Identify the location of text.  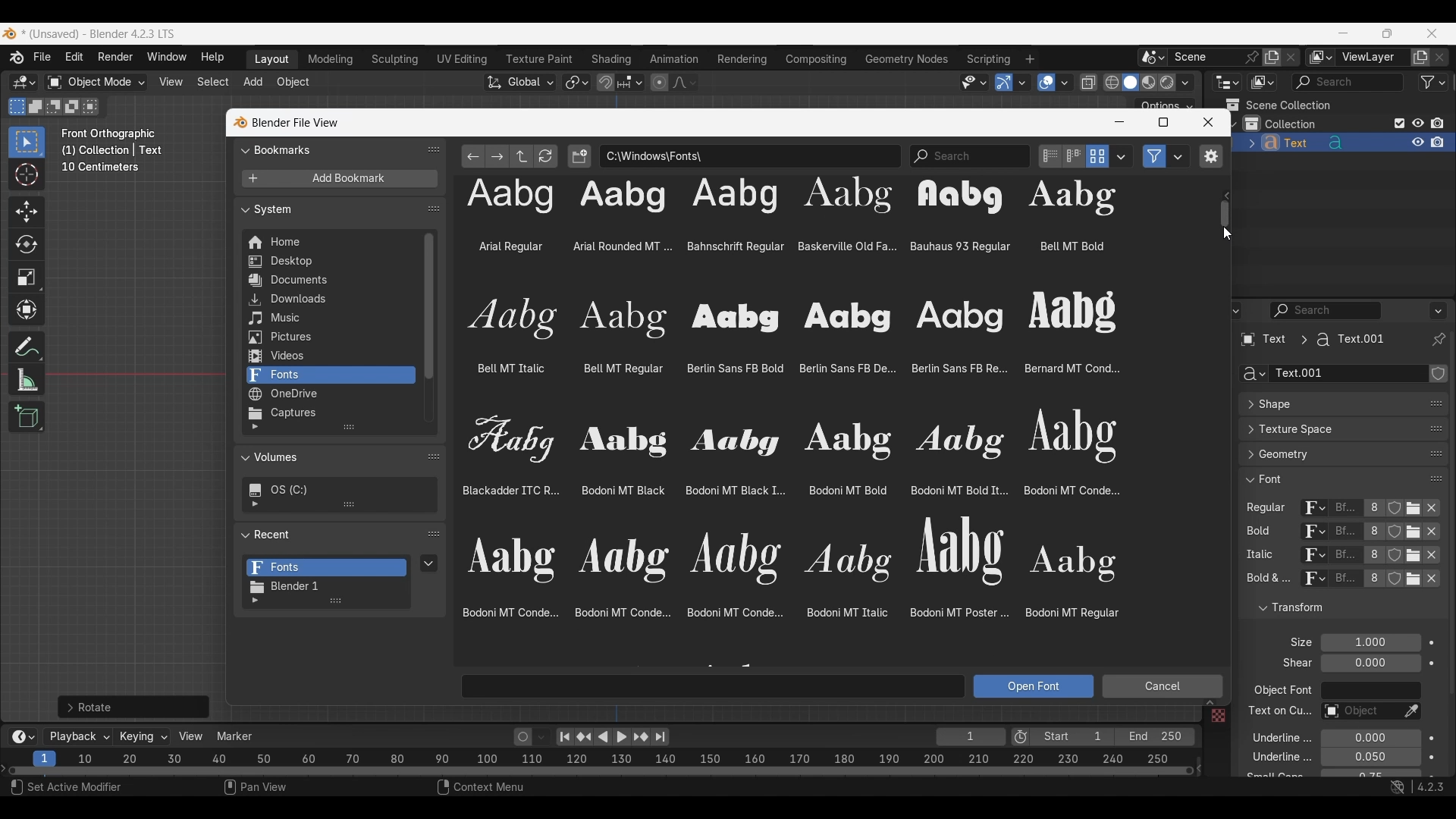
(1293, 664).